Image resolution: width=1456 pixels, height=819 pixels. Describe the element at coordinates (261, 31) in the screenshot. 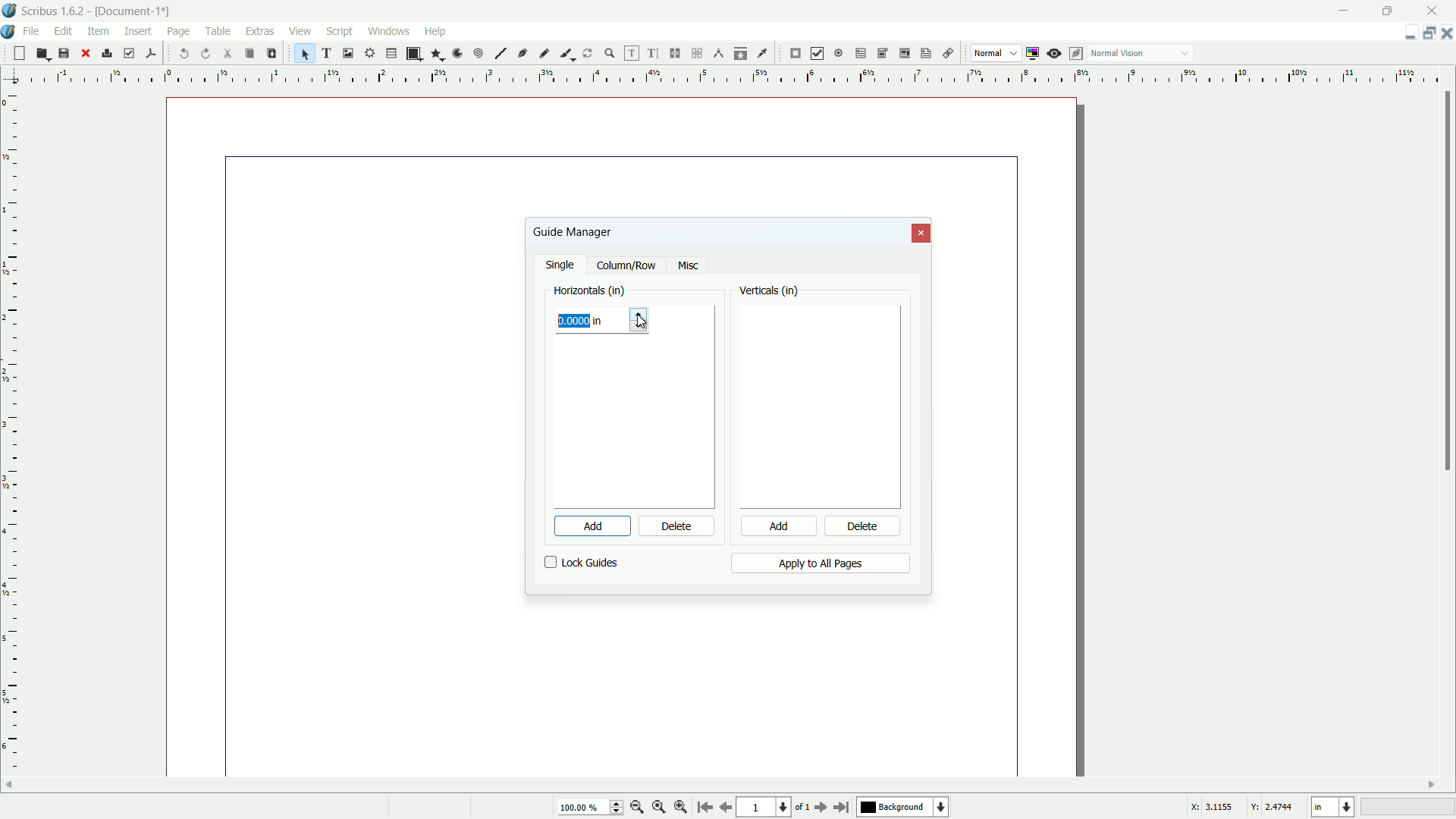

I see `extras menu` at that location.